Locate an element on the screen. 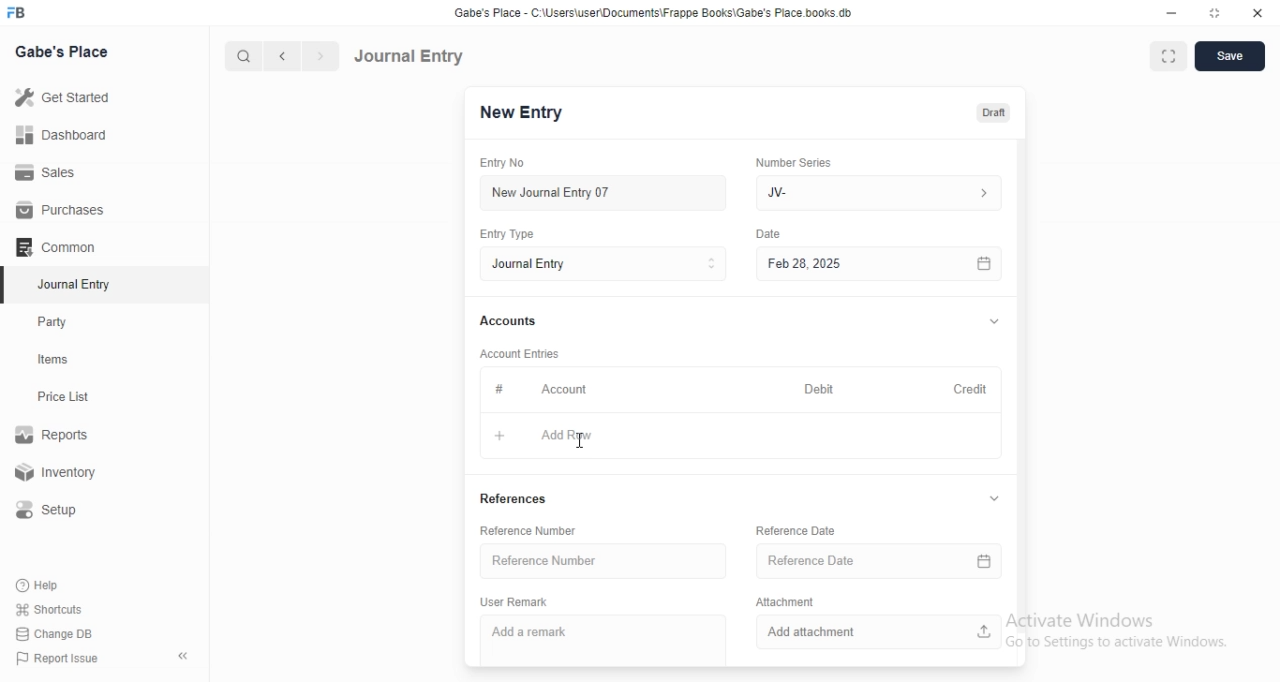  Accounts is located at coordinates (506, 321).